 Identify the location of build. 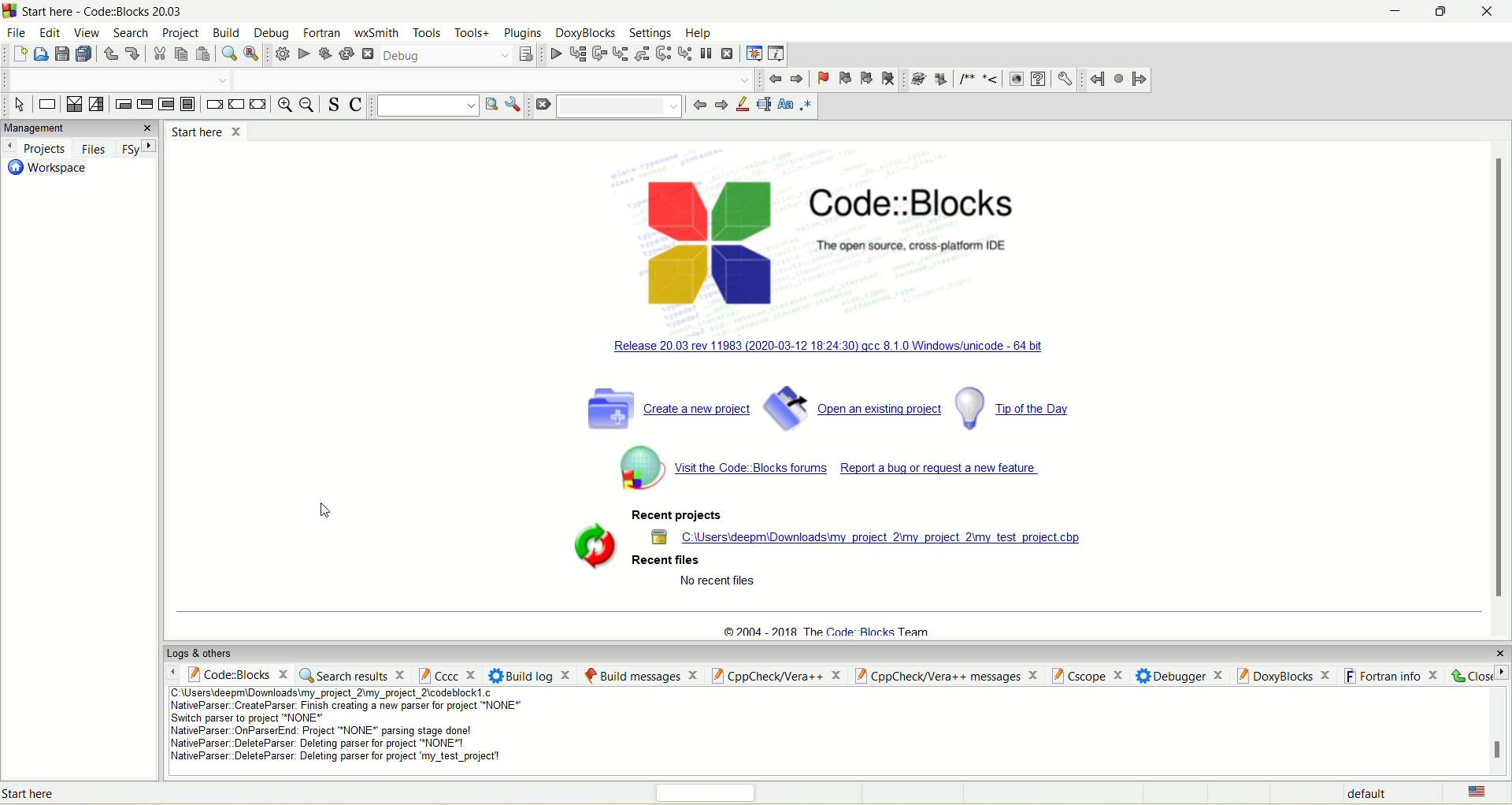
(231, 33).